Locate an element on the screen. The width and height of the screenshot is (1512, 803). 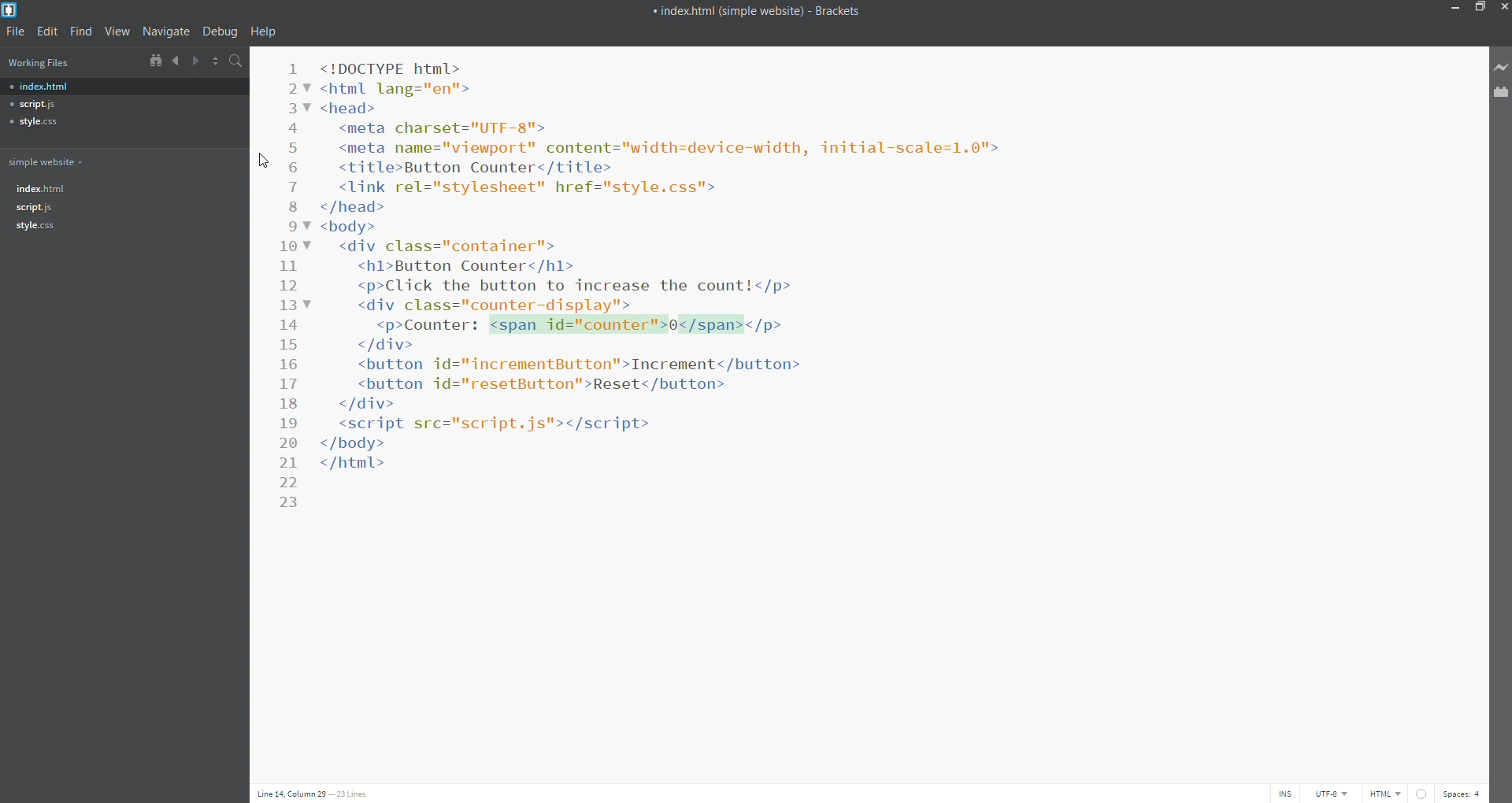
show in file tree is located at coordinates (156, 61).